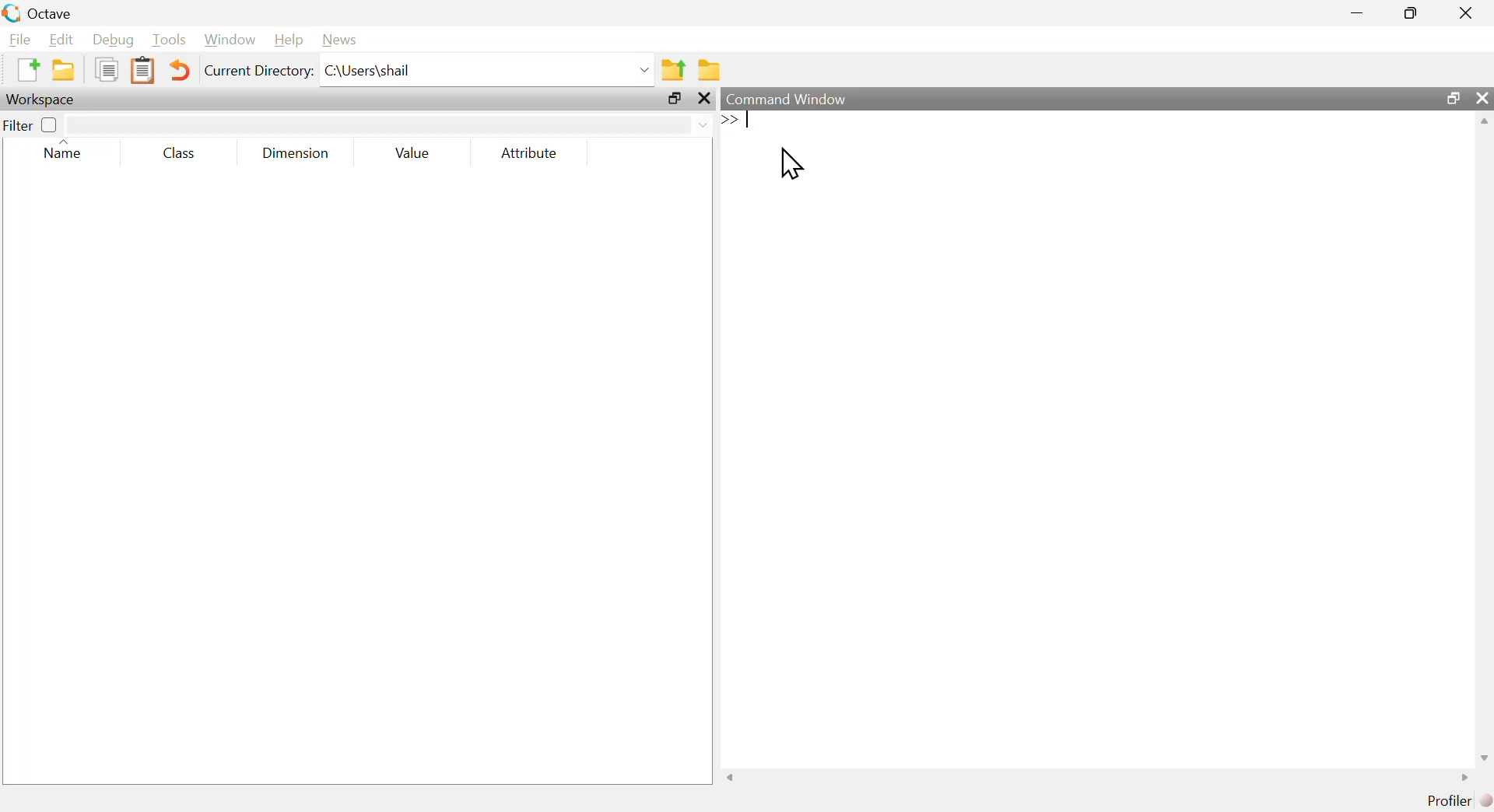 This screenshot has height=812, width=1494. What do you see at coordinates (19, 39) in the screenshot?
I see `file` at bounding box center [19, 39].